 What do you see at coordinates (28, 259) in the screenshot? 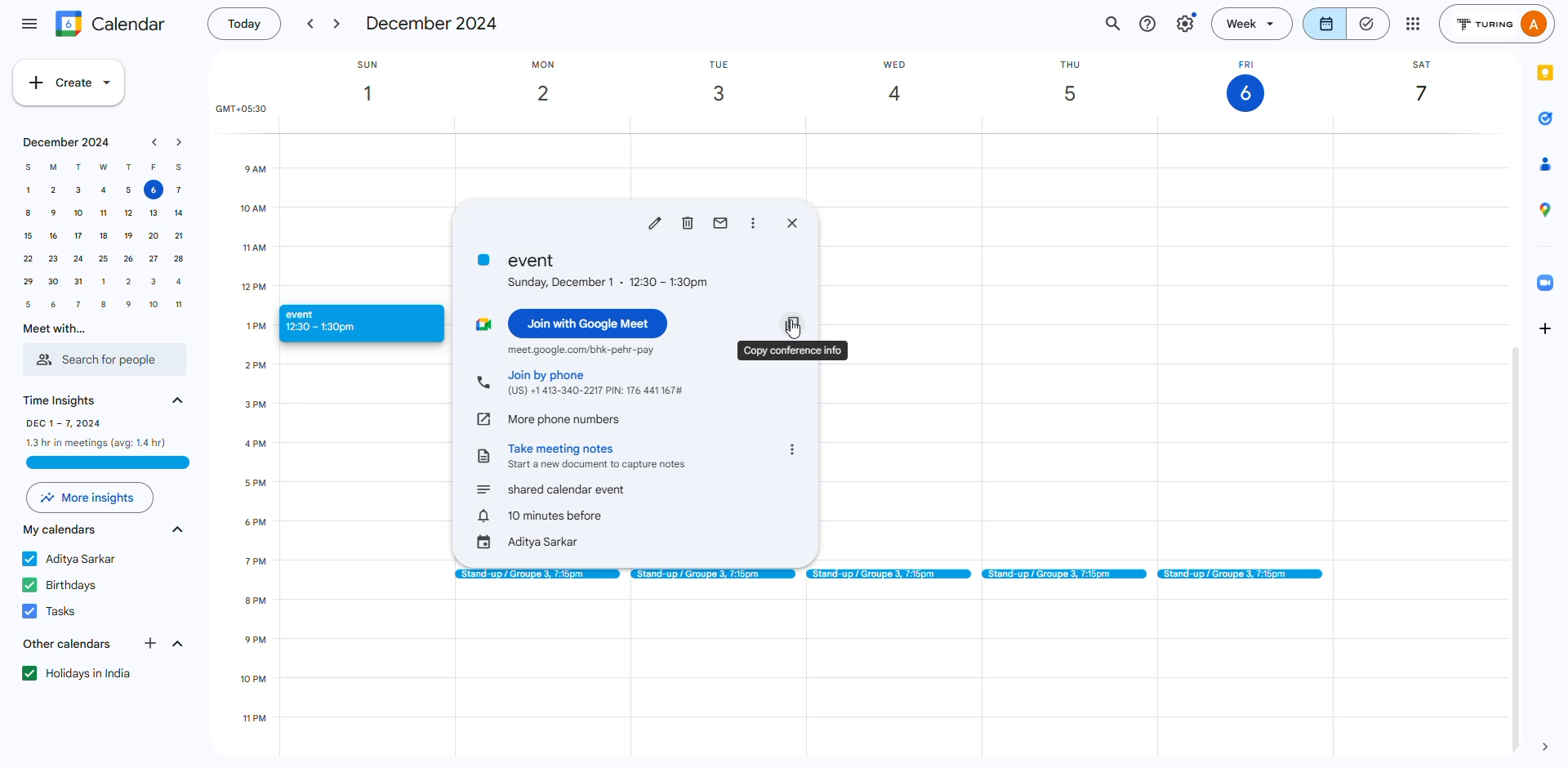
I see `22` at bounding box center [28, 259].